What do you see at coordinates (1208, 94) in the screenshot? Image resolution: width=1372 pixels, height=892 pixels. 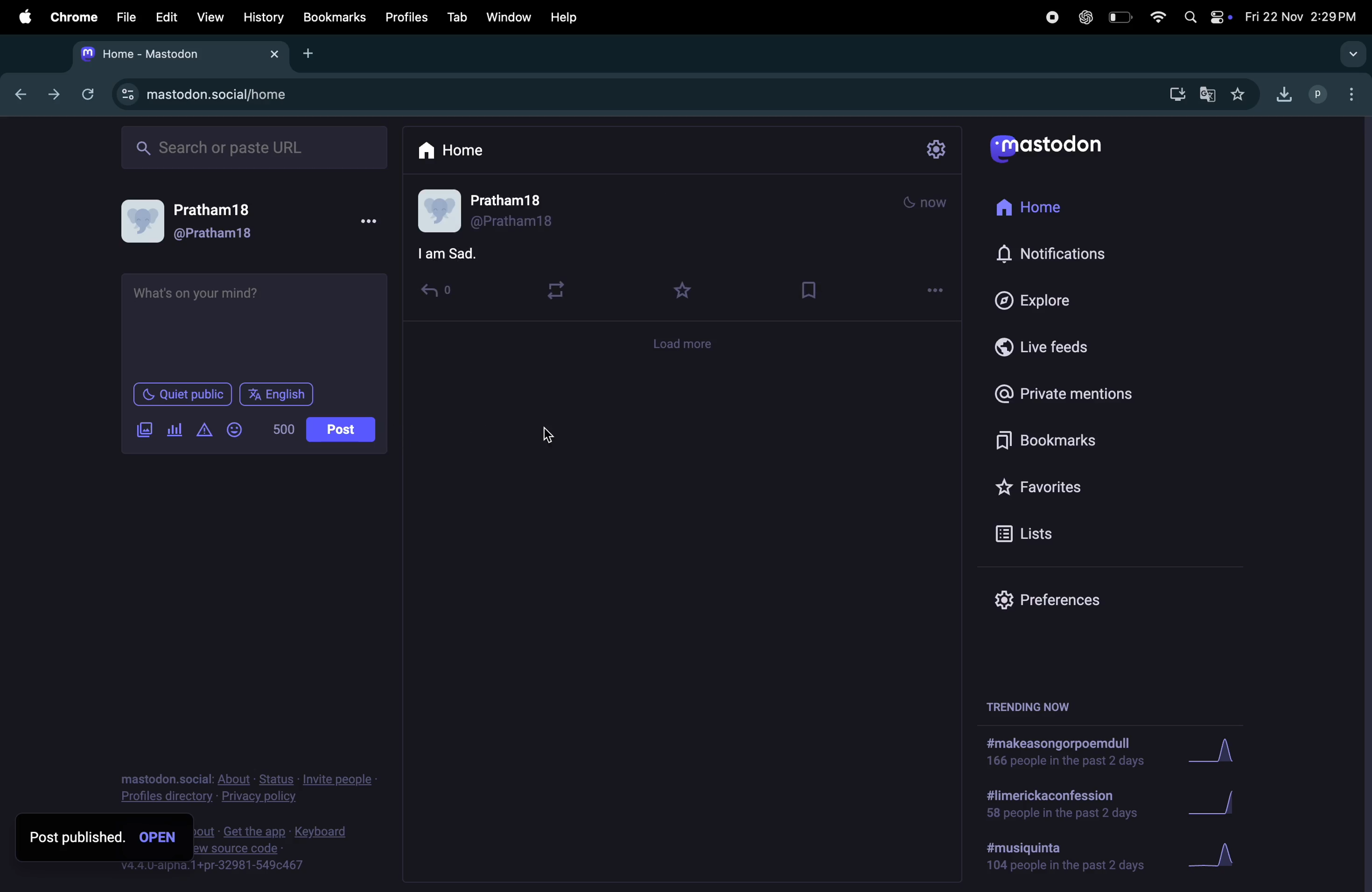 I see `translate` at bounding box center [1208, 94].